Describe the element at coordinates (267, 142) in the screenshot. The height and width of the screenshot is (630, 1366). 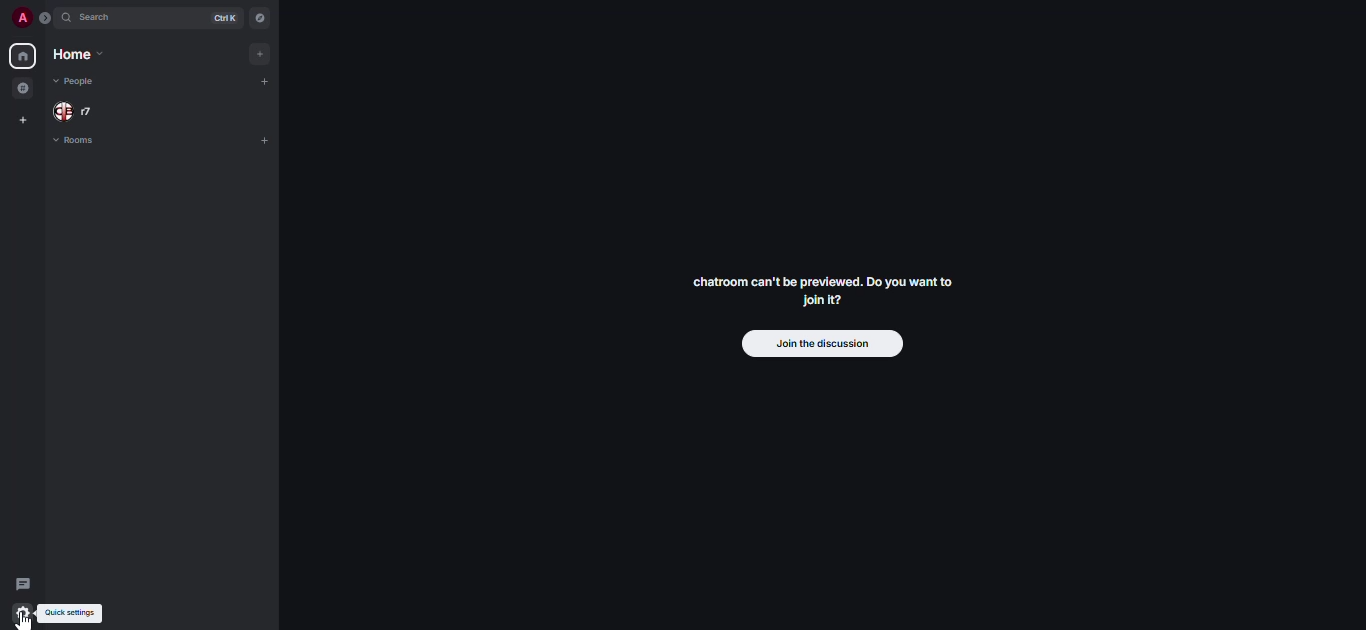
I see `add` at that location.